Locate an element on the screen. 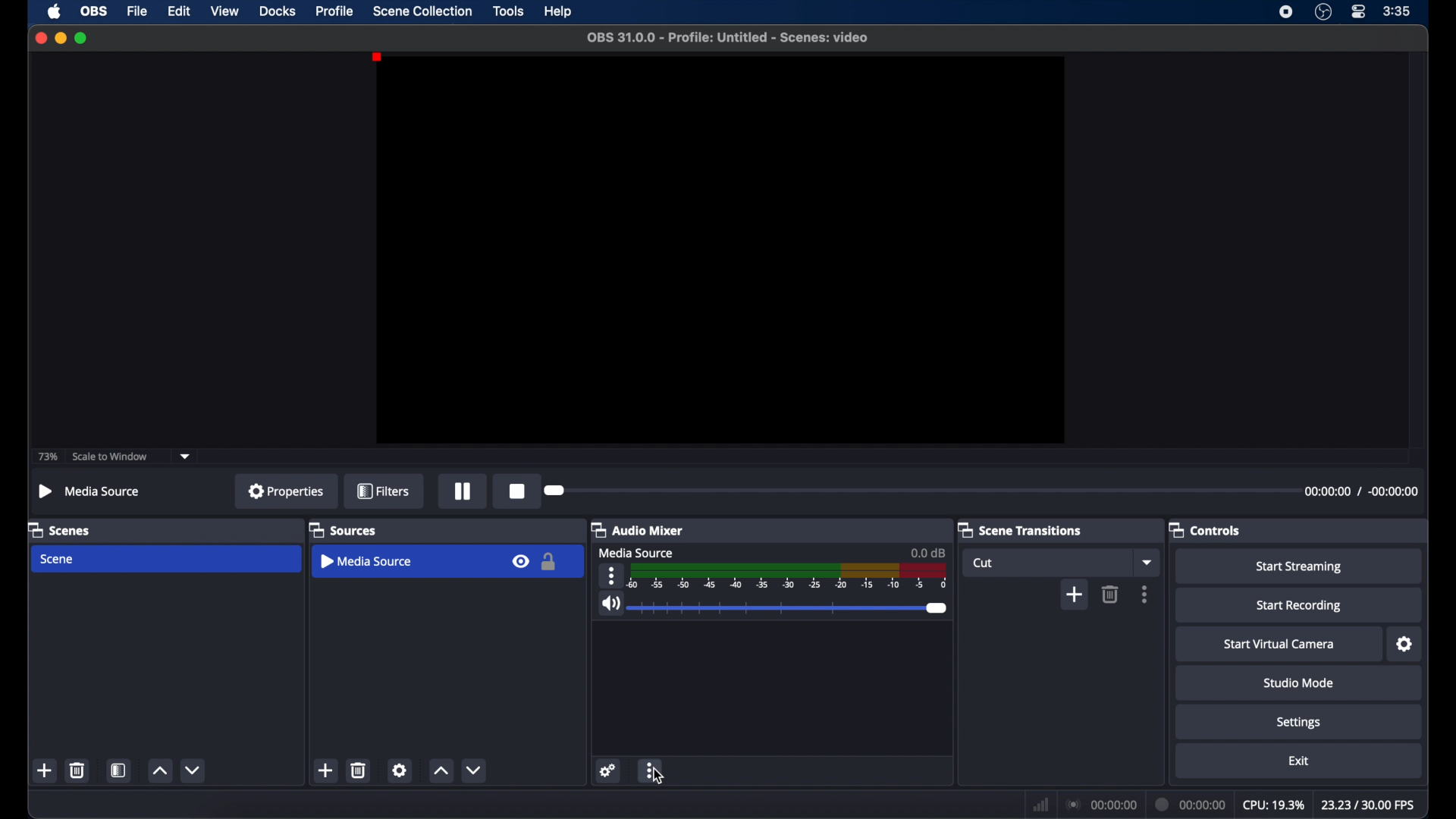 The height and width of the screenshot is (819, 1456). add is located at coordinates (1074, 594).